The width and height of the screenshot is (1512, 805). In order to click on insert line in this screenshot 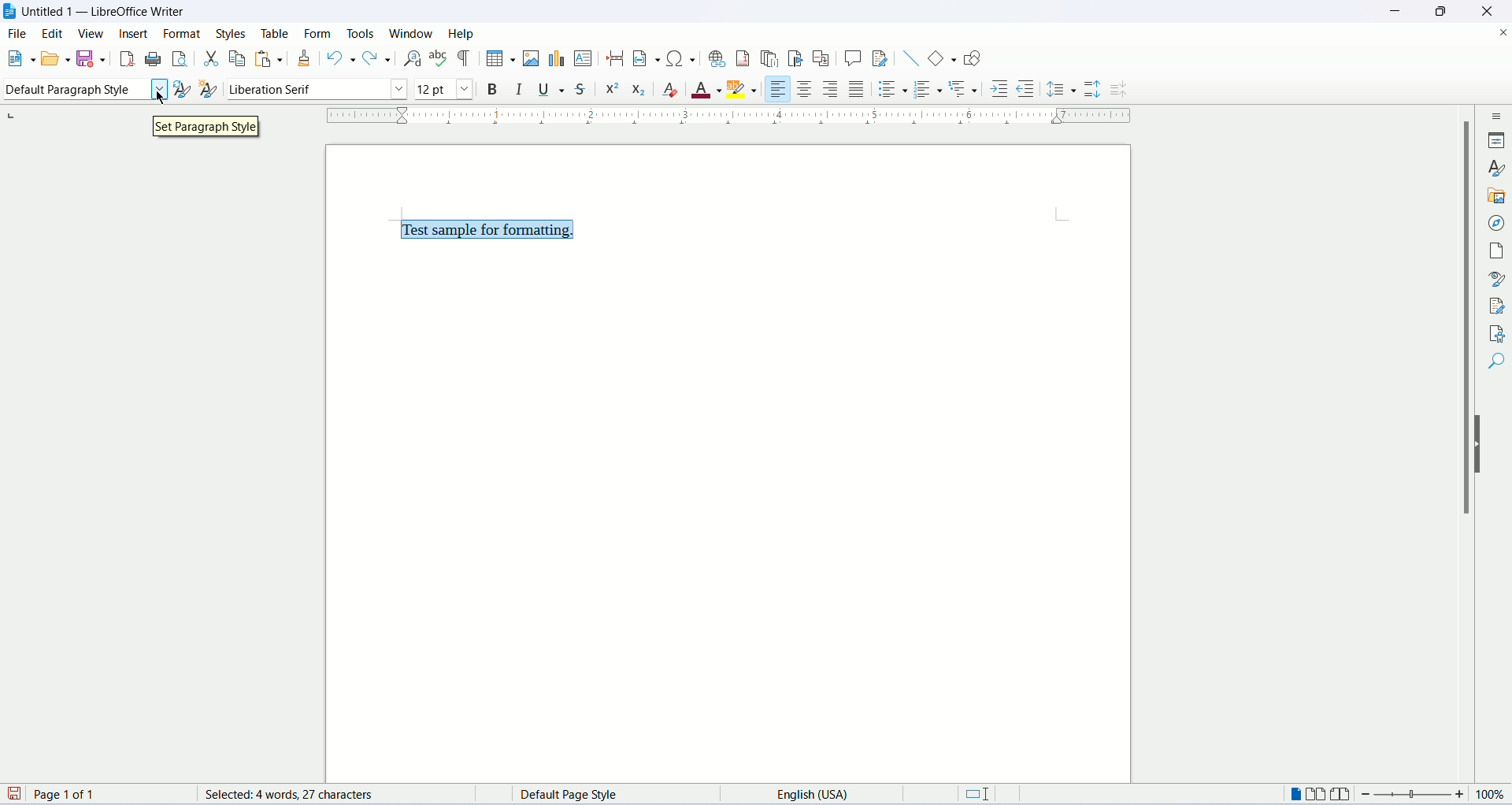, I will do `click(909, 57)`.